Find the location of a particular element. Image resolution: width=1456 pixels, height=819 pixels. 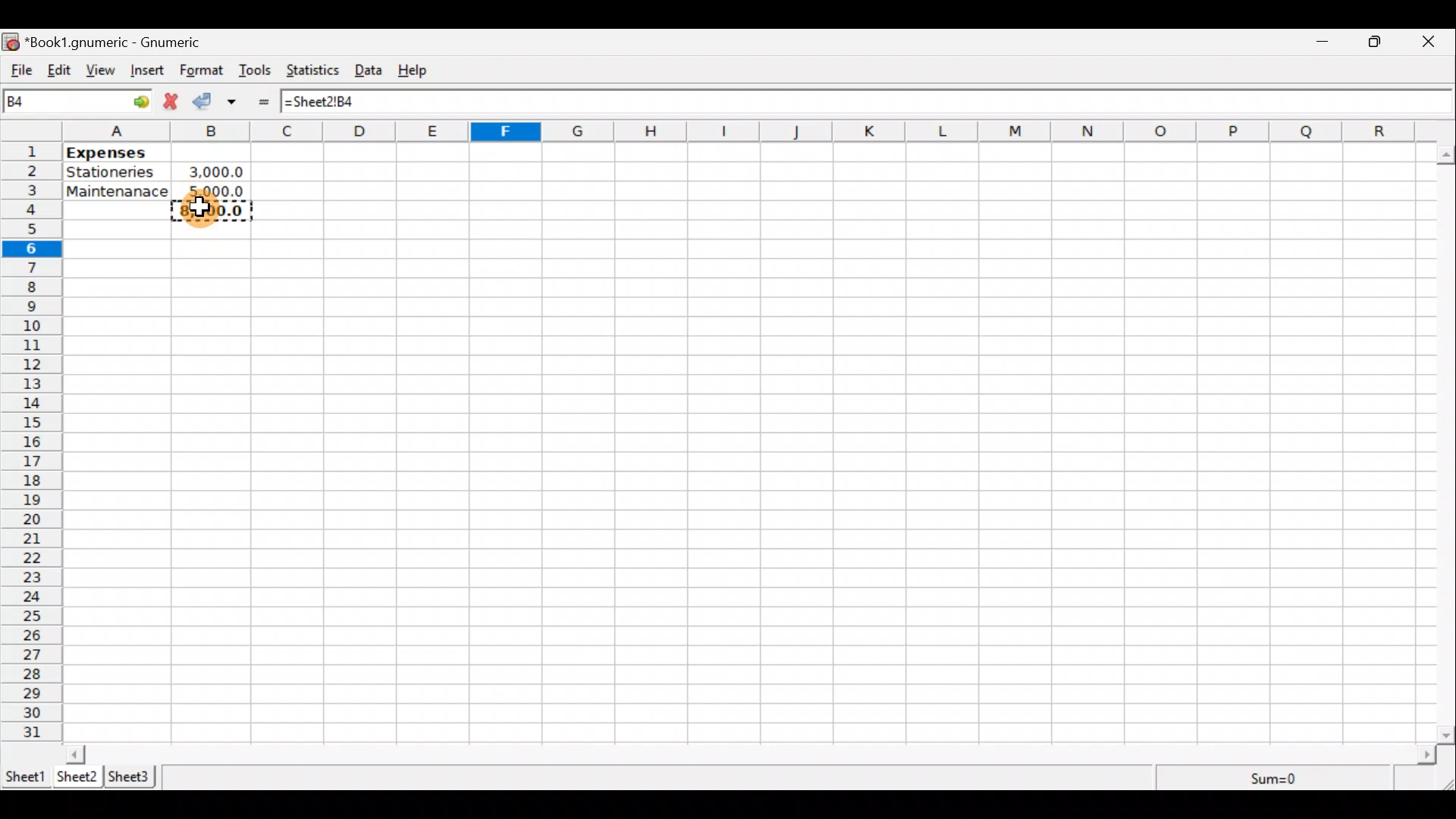

Minimize is located at coordinates (1323, 43).